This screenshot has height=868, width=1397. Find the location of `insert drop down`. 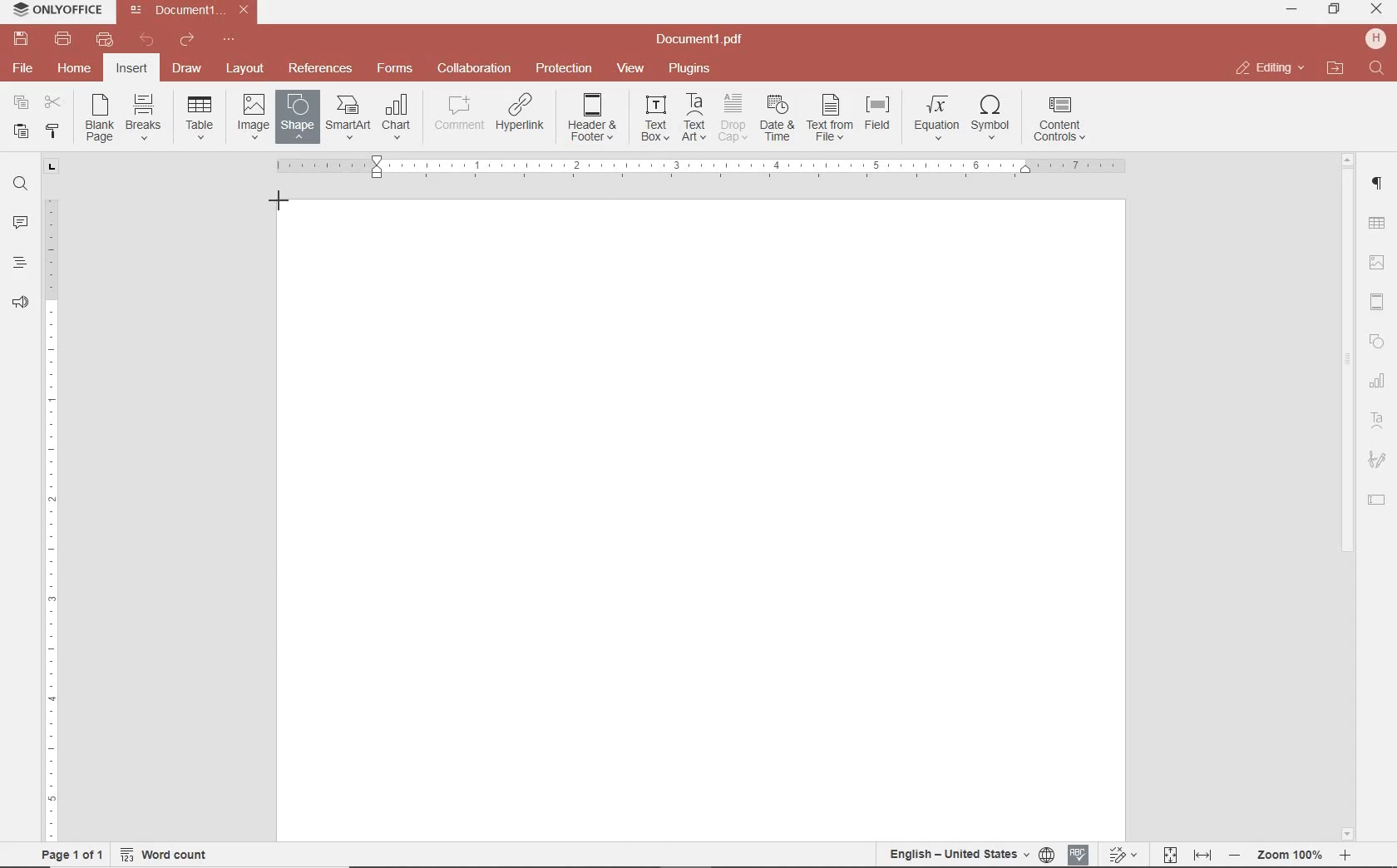

insert drop down is located at coordinates (205, 116).